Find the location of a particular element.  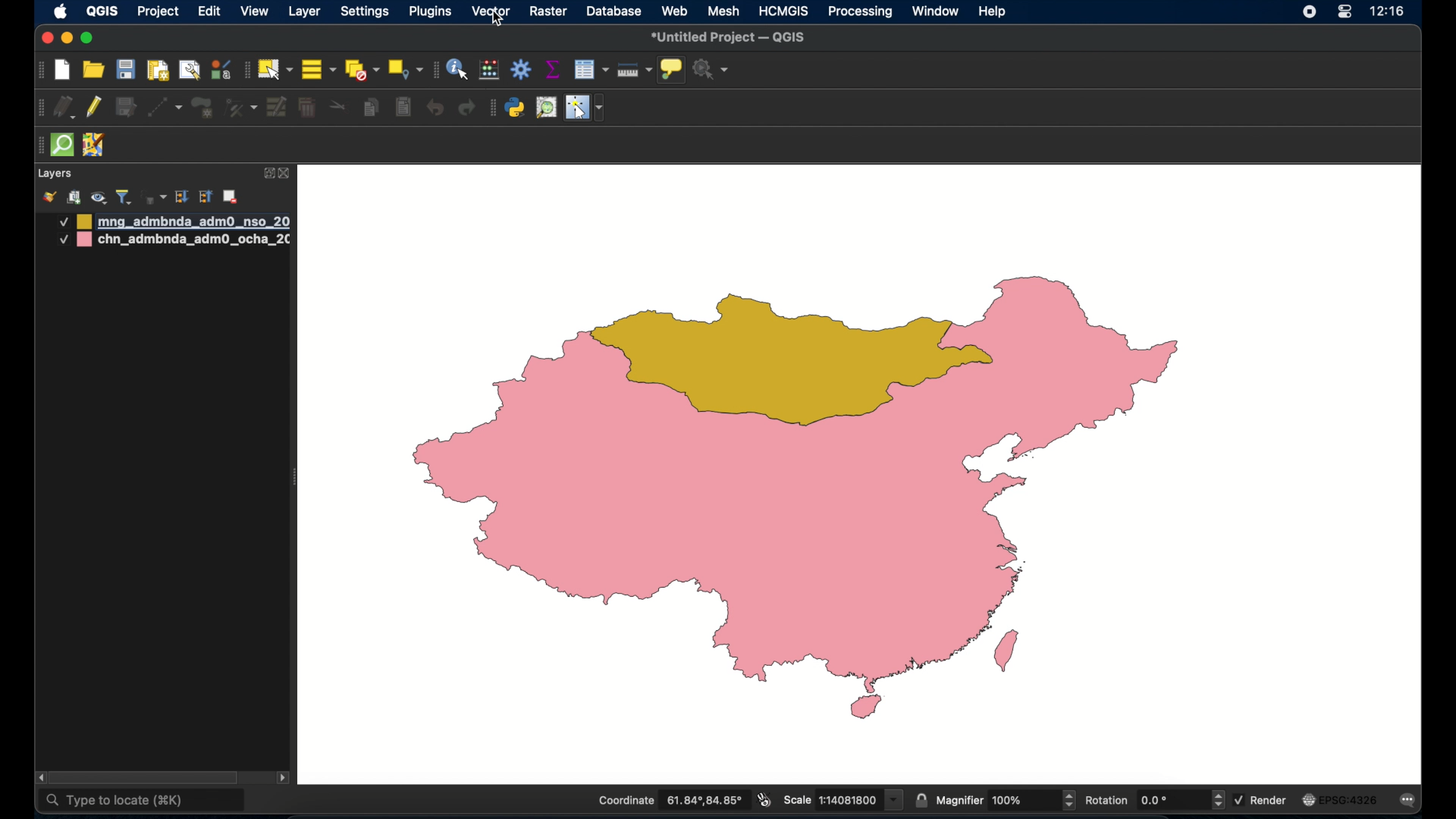

show print layout is located at coordinates (156, 70).